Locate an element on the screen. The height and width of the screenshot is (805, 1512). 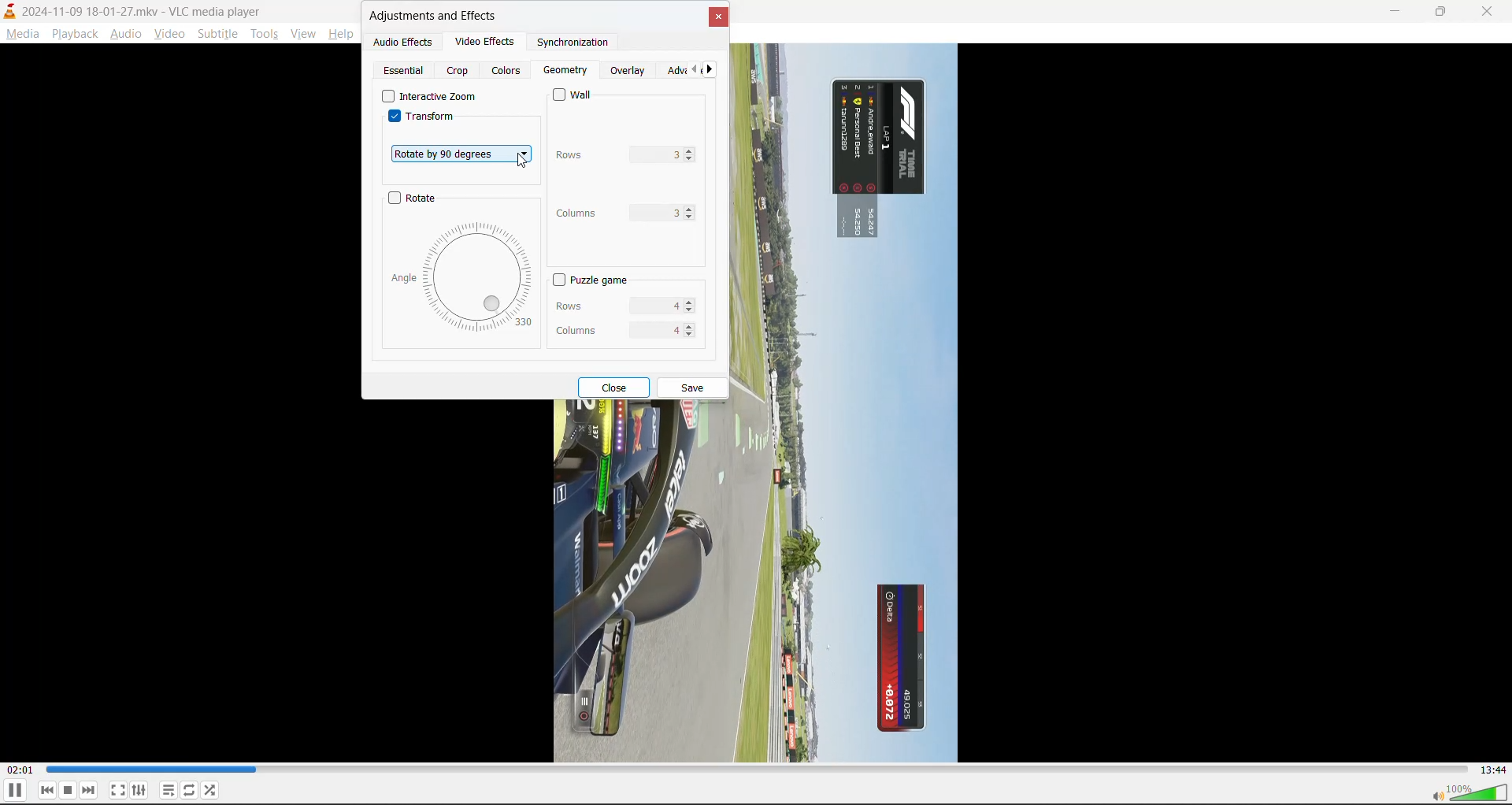
rows is located at coordinates (609, 302).